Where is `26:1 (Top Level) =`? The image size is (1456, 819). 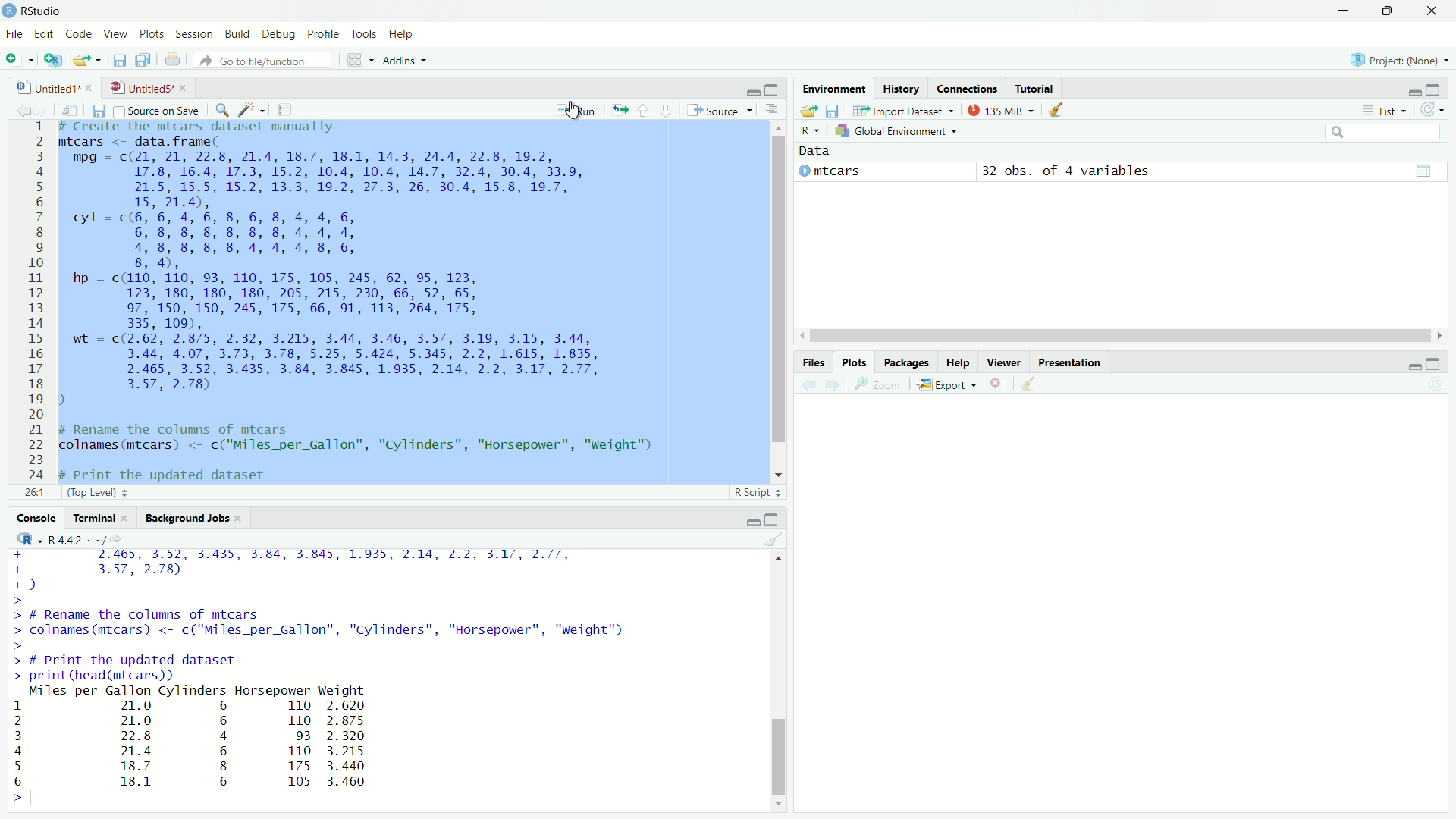
26:1 (Top Level) = is located at coordinates (86, 491).